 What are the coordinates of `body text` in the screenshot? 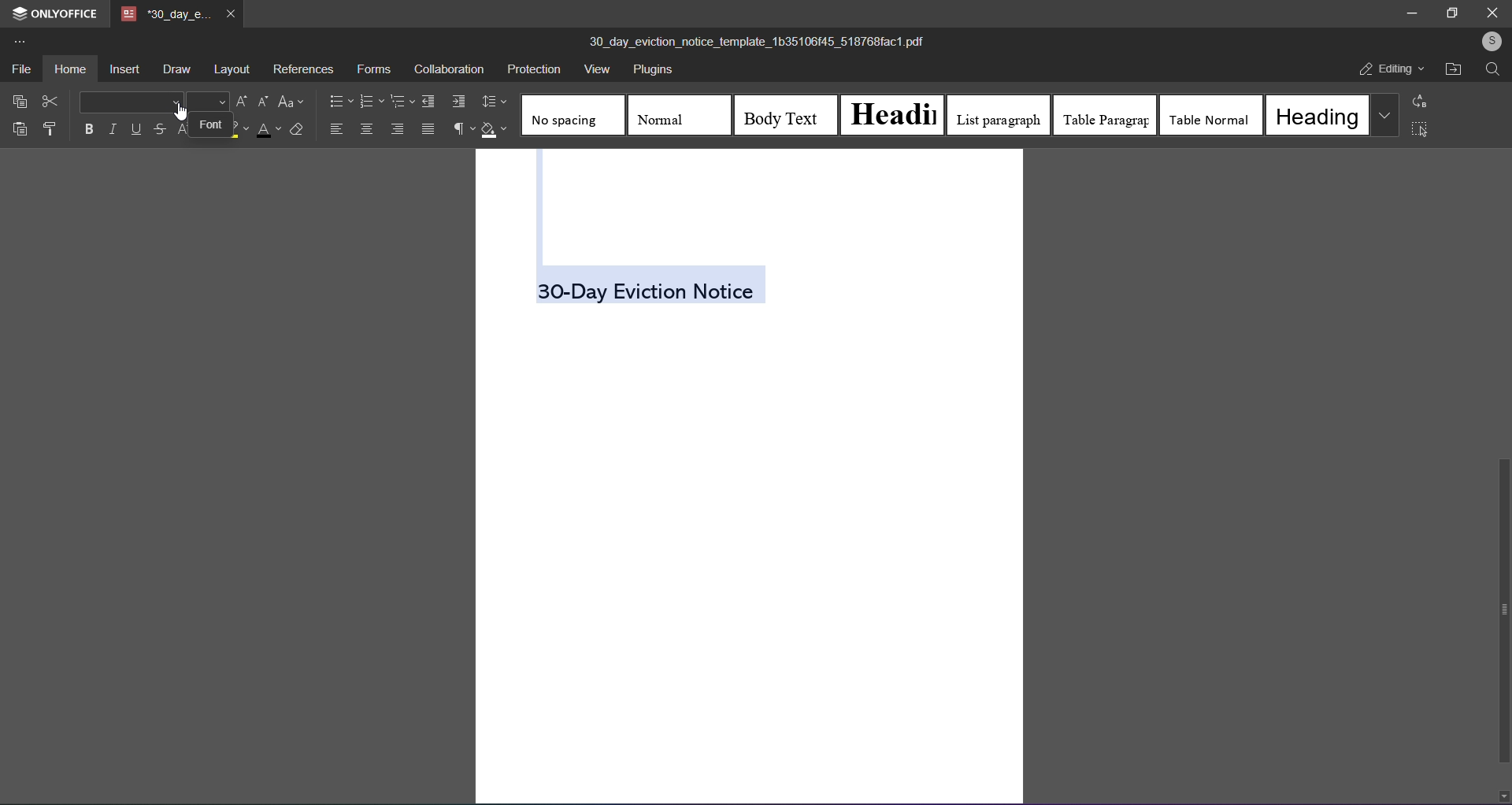 It's located at (783, 114).